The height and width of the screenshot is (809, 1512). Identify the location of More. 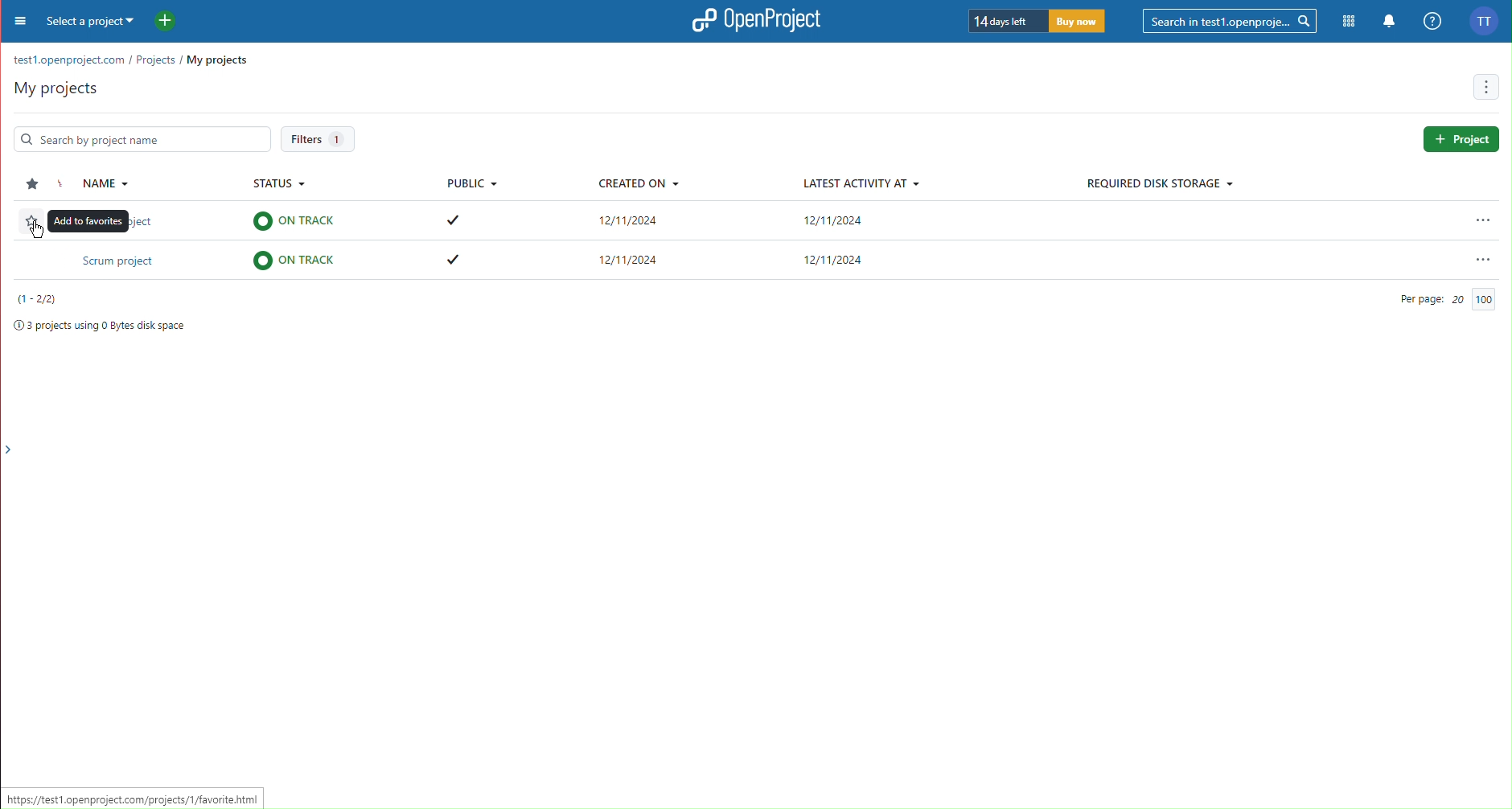
(17, 25).